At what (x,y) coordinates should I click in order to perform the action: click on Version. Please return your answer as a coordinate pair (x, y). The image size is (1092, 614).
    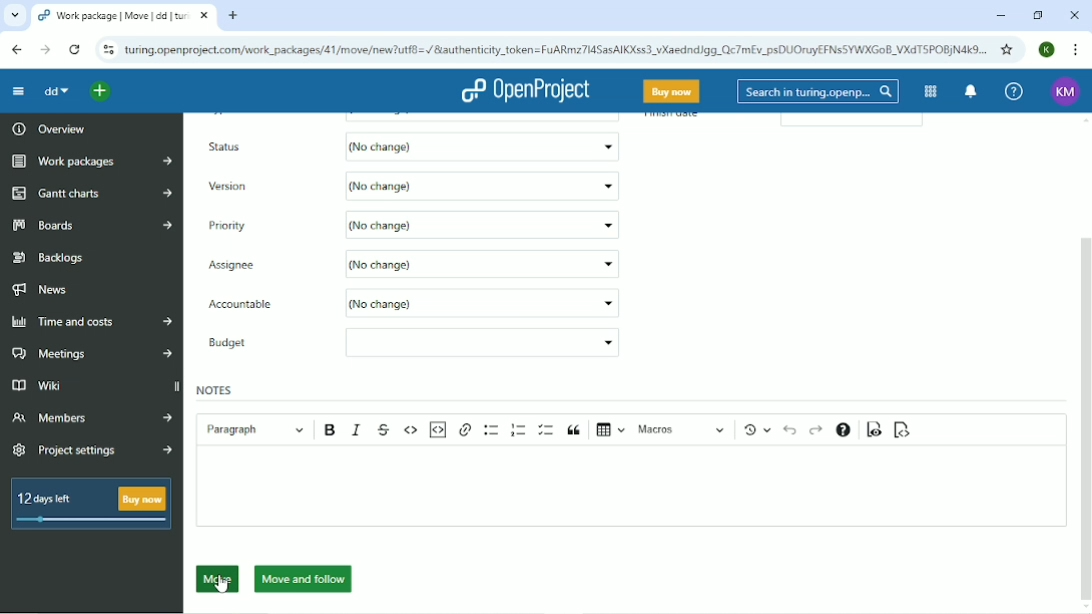
    Looking at the image, I should click on (253, 190).